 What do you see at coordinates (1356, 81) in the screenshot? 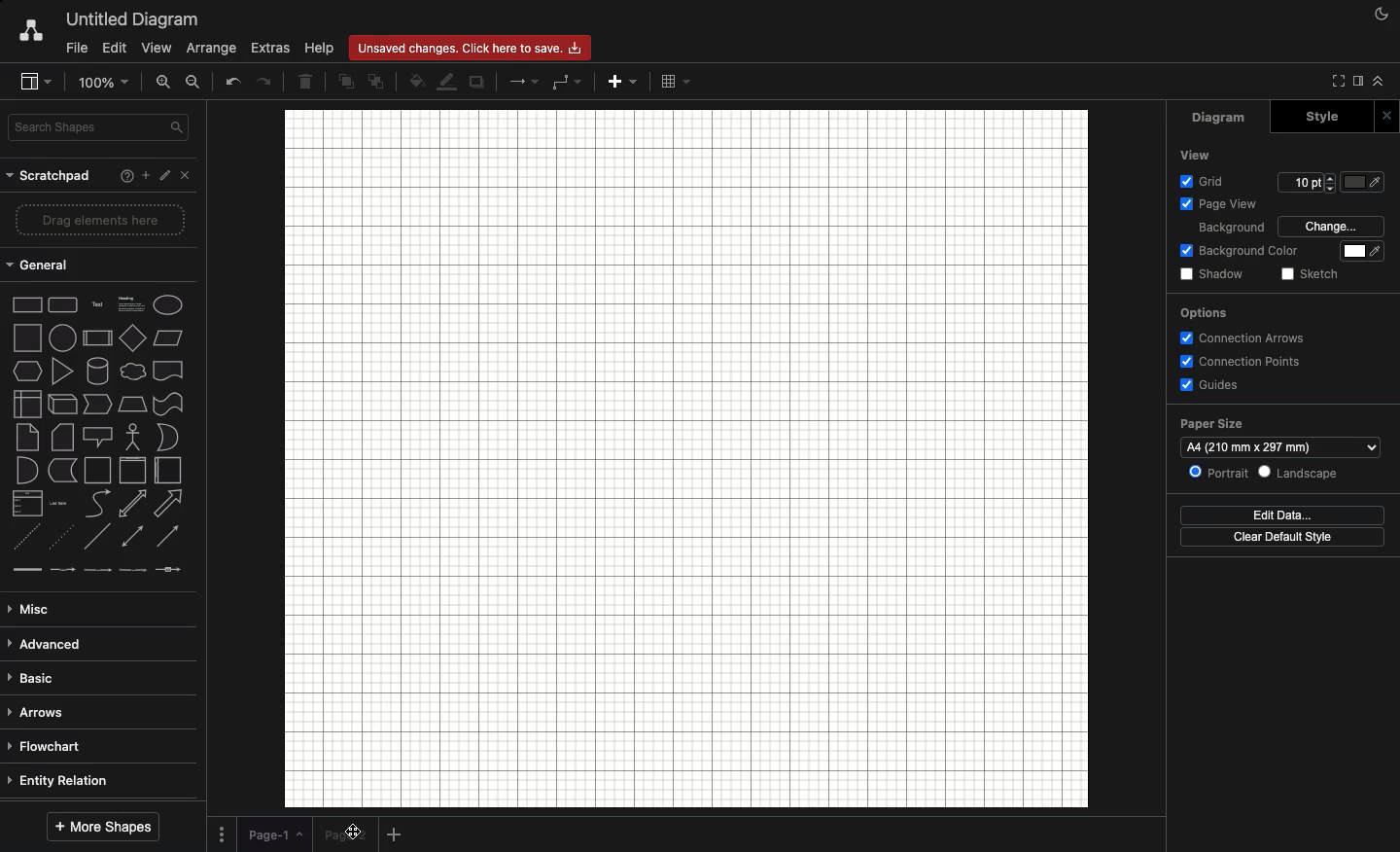
I see `Sidebar` at bounding box center [1356, 81].